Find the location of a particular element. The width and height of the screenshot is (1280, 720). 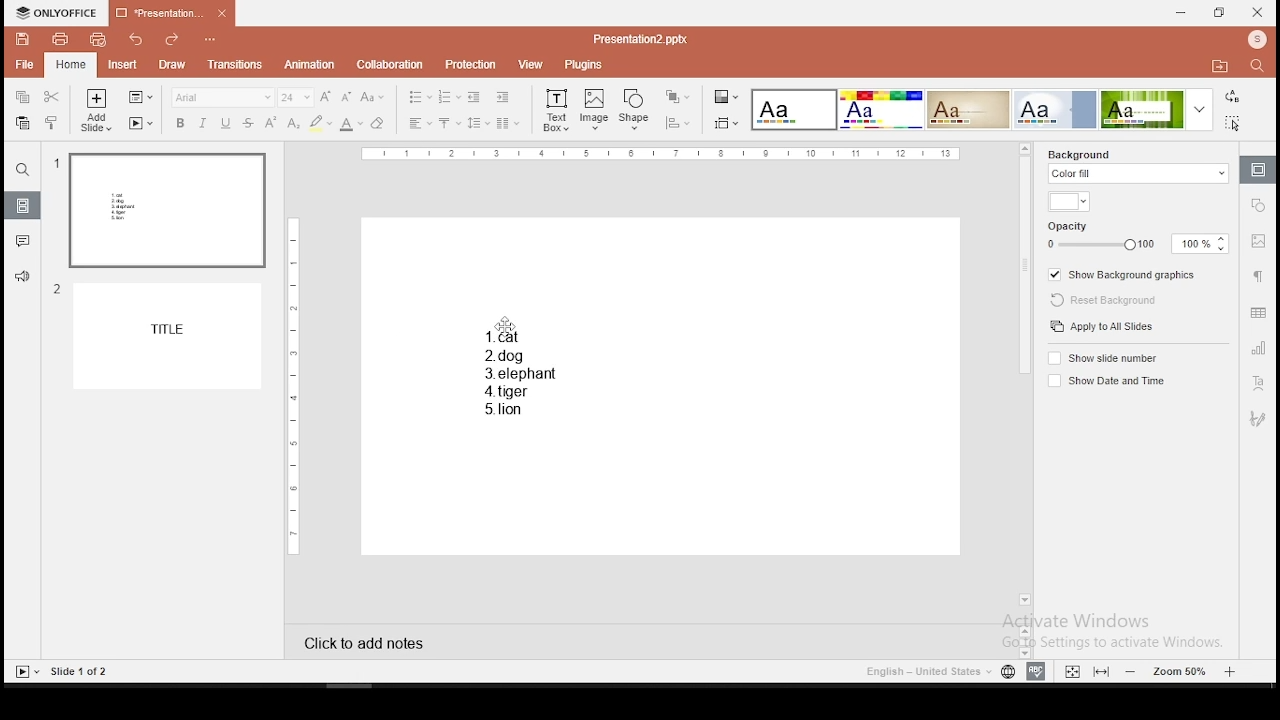

arrange objects is located at coordinates (677, 98).